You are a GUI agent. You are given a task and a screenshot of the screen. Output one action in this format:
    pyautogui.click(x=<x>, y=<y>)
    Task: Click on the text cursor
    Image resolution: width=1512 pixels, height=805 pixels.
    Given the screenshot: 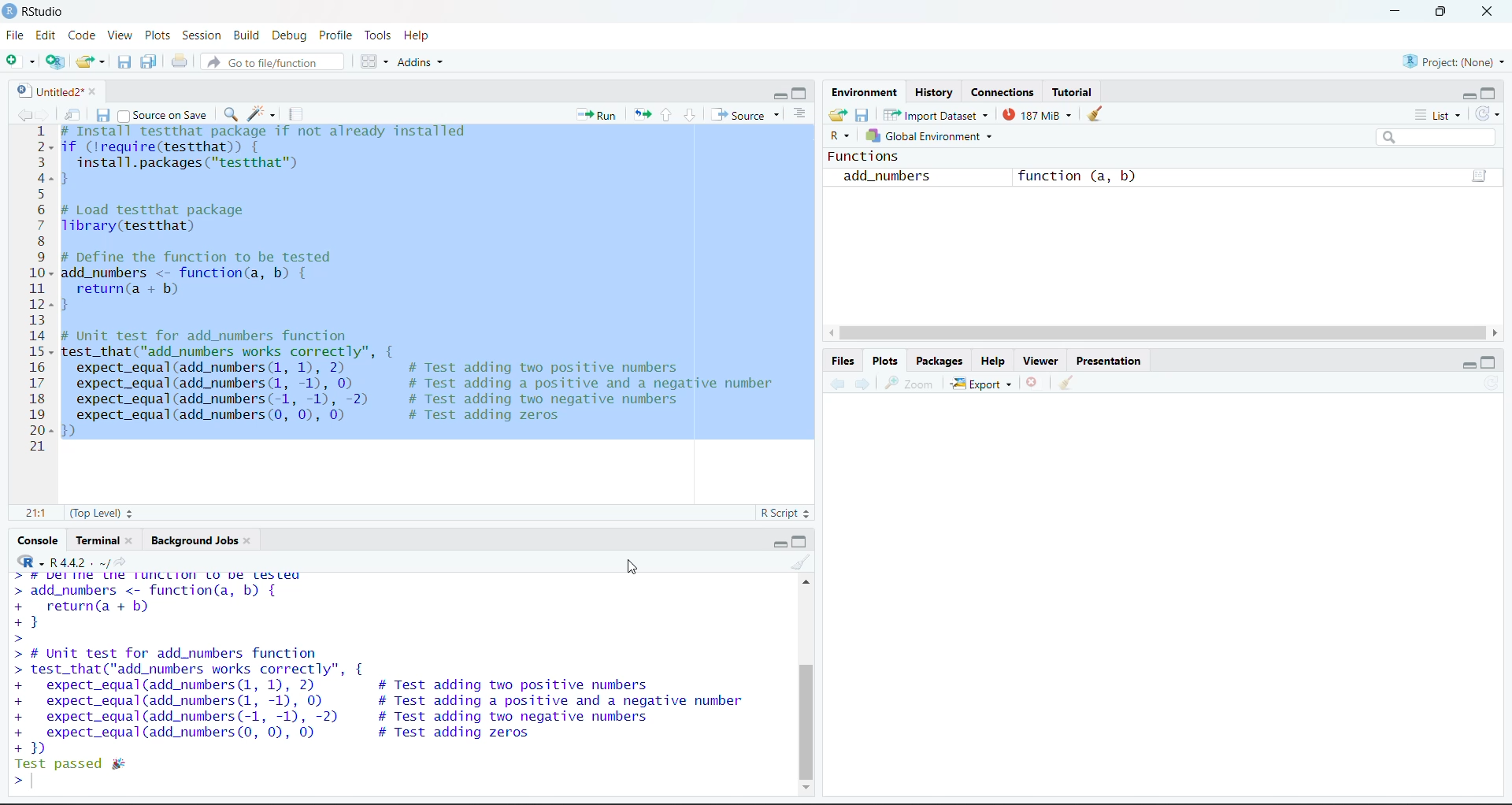 What is the action you would take?
    pyautogui.click(x=32, y=783)
    